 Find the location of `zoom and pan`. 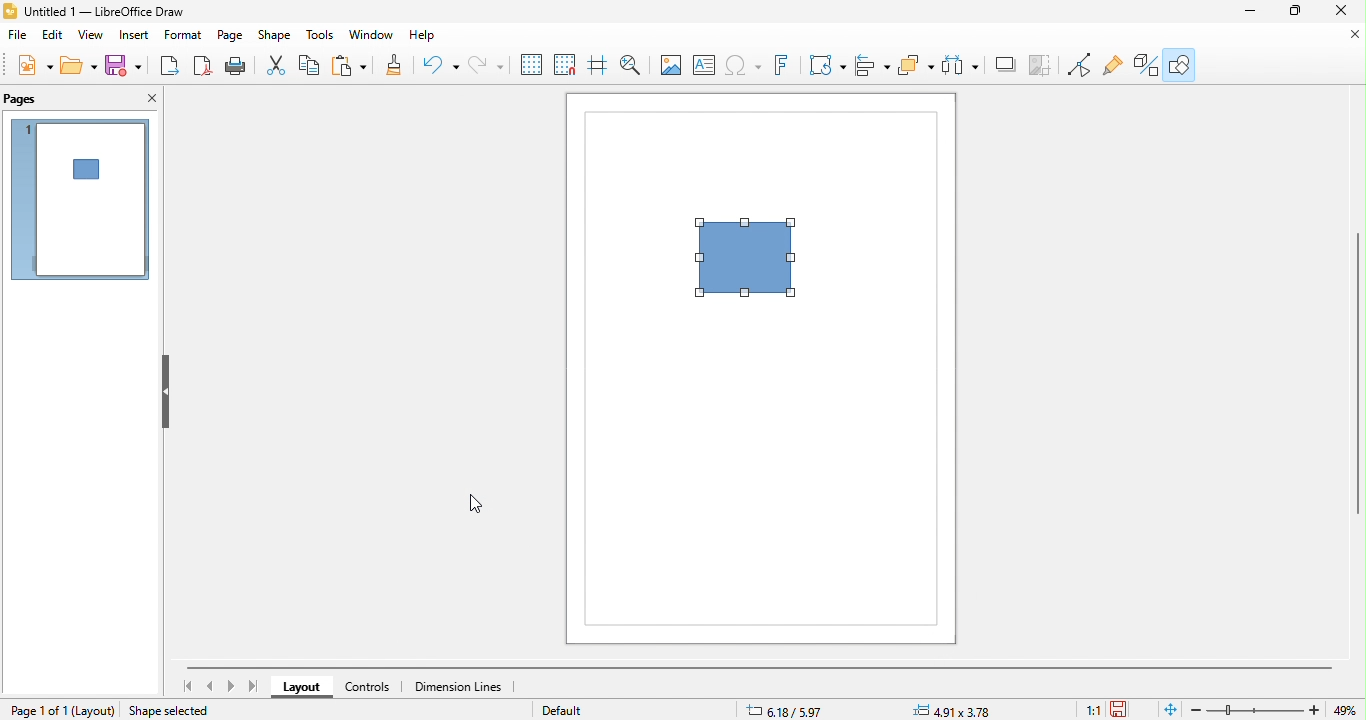

zoom and pan is located at coordinates (636, 67).